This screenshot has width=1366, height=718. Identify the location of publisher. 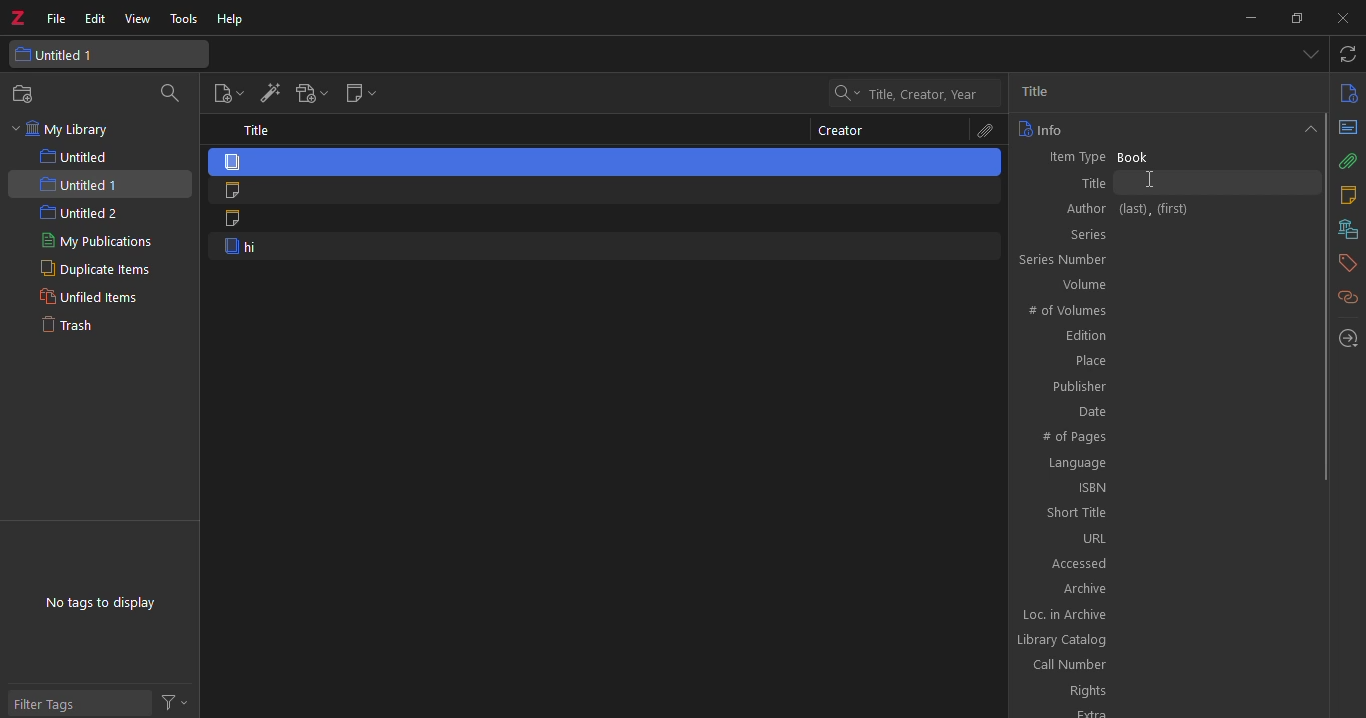
(1162, 387).